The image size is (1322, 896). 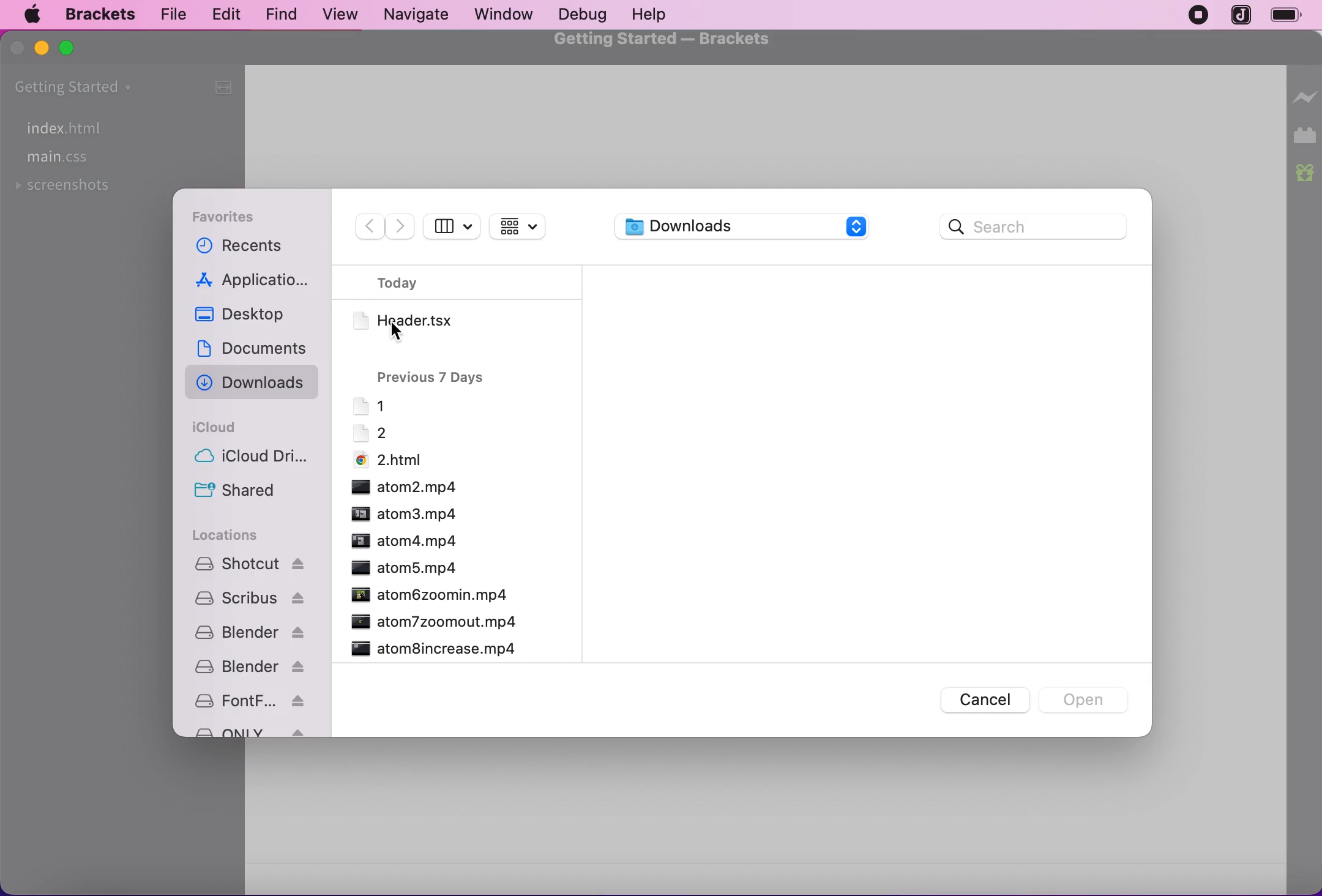 What do you see at coordinates (100, 15) in the screenshot?
I see `Brackets` at bounding box center [100, 15].